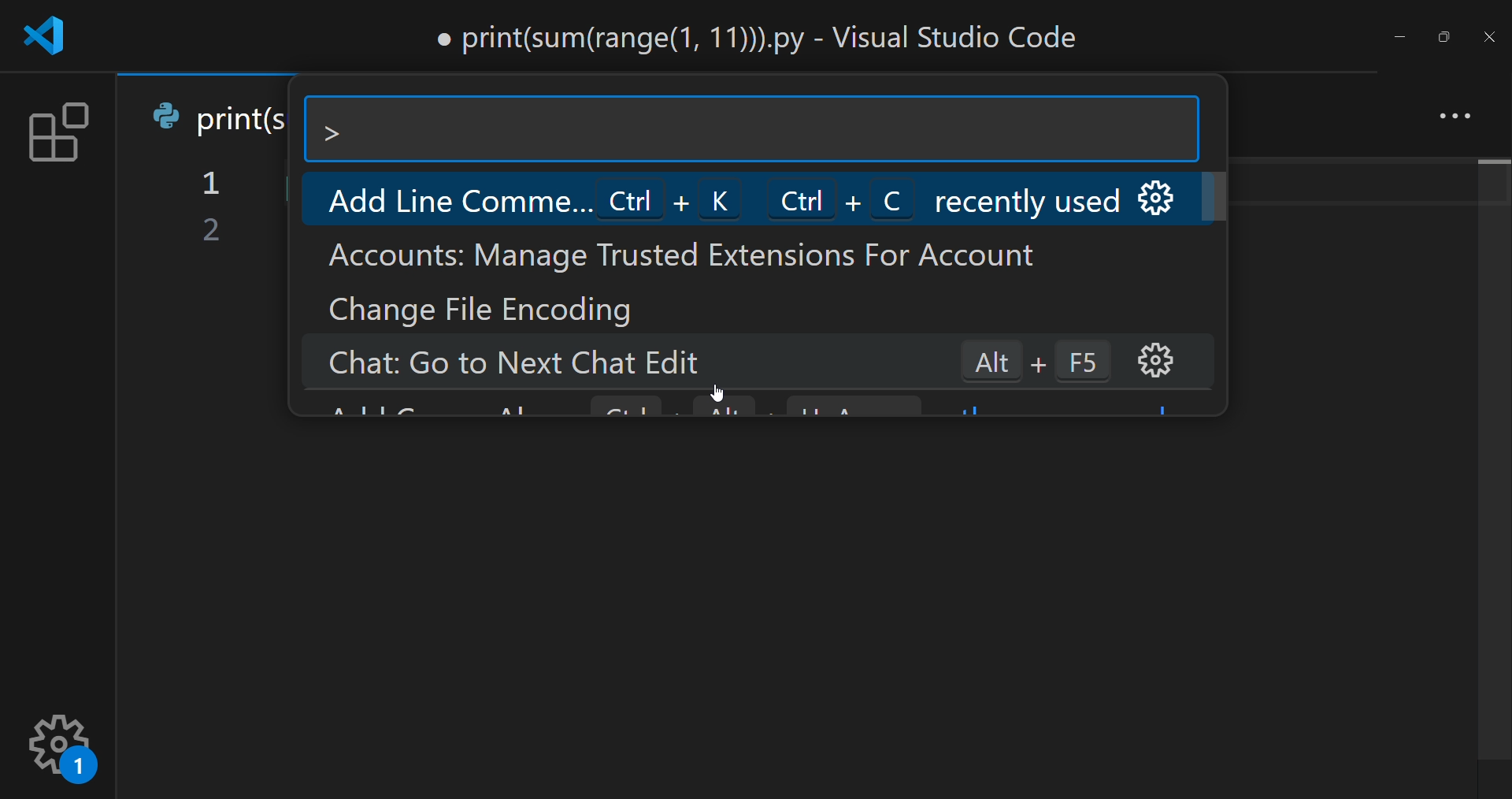 The height and width of the screenshot is (799, 1512). I want to click on Add Line Comme... Ctrl + K Ctrl + C recently used, so click(712, 197).